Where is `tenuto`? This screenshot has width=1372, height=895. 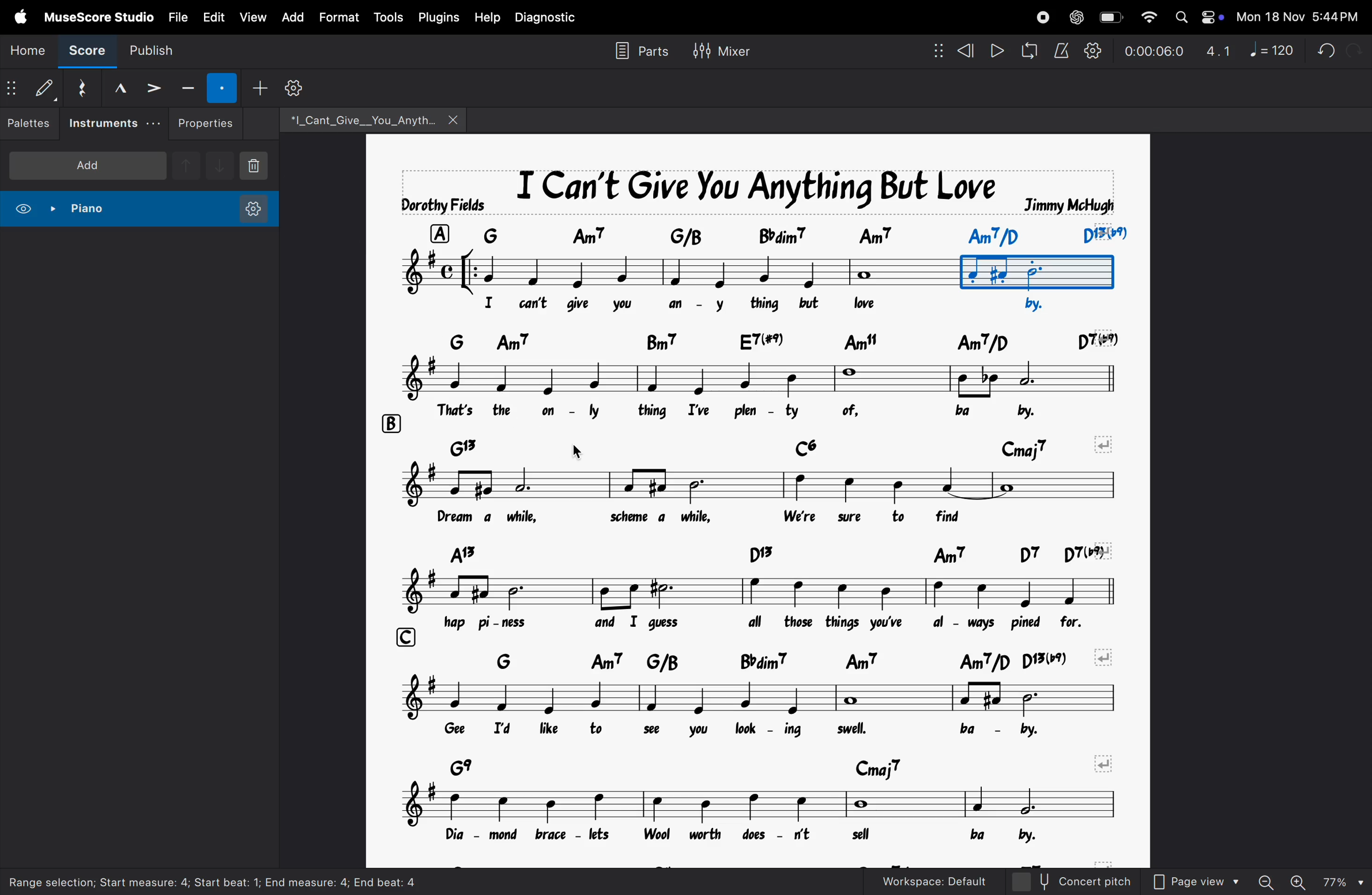 tenuto is located at coordinates (188, 86).